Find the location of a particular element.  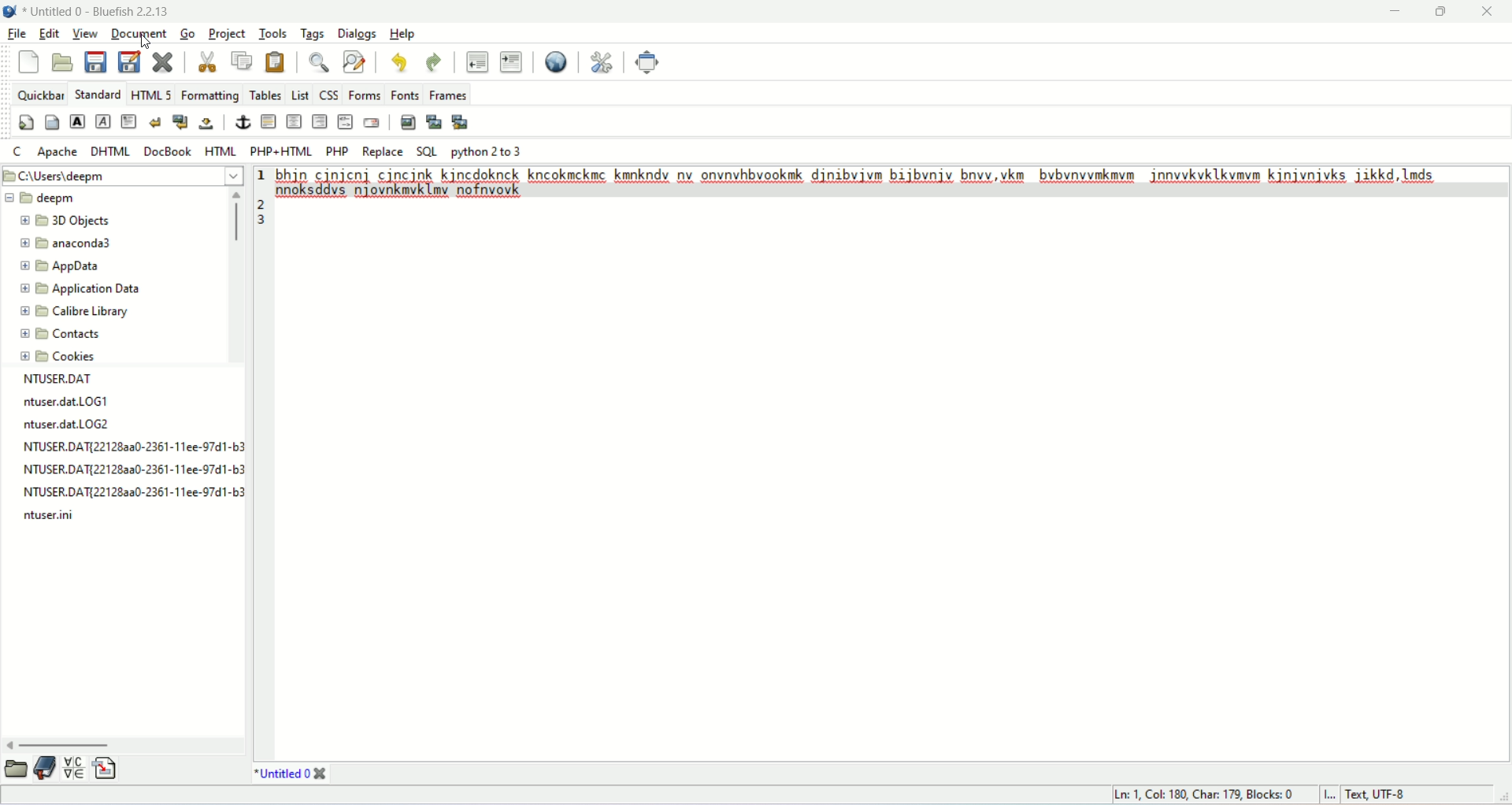

body is located at coordinates (48, 121).